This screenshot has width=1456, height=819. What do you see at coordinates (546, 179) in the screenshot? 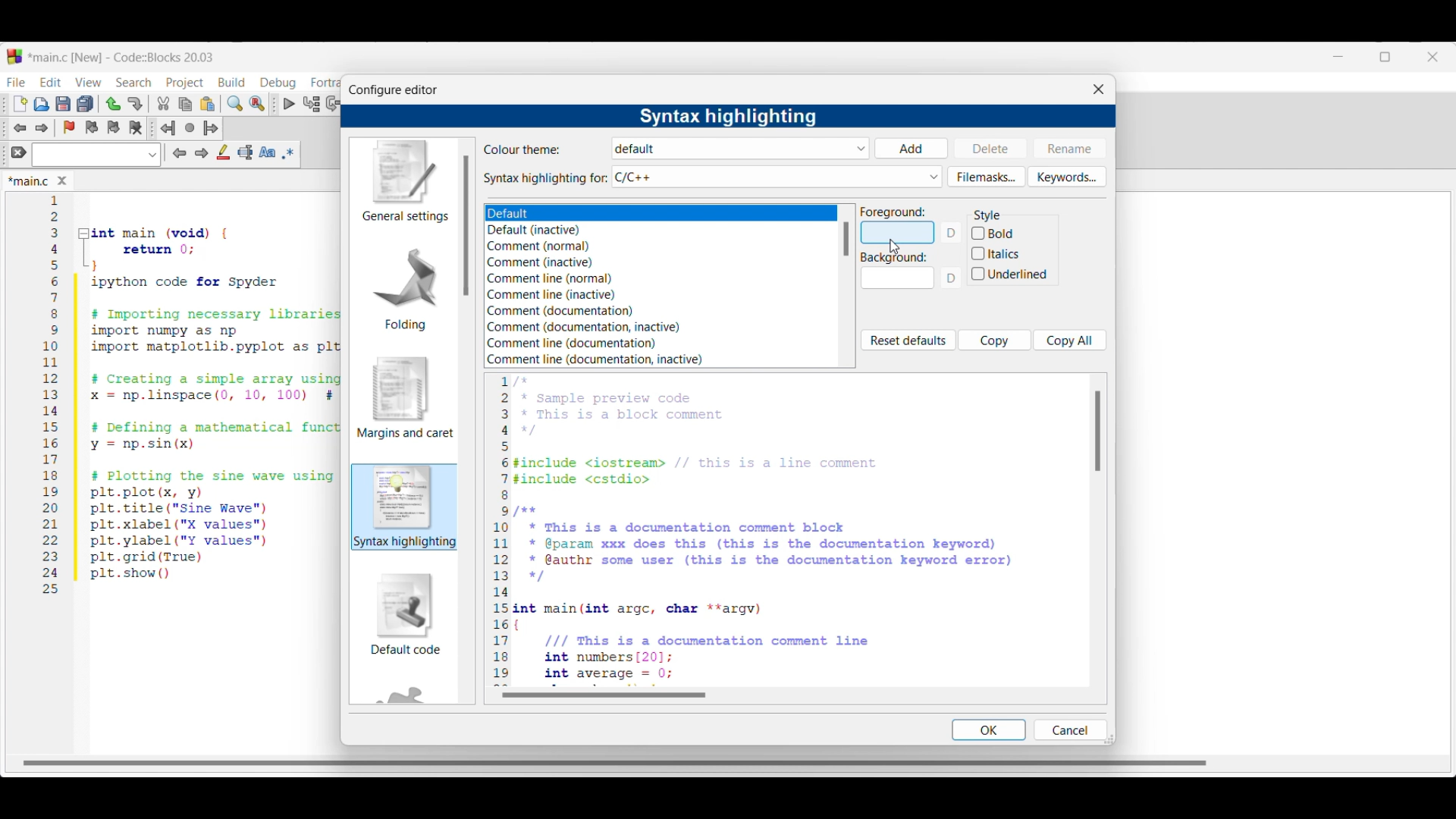
I see `Indicates syntax highlighting options` at bounding box center [546, 179].